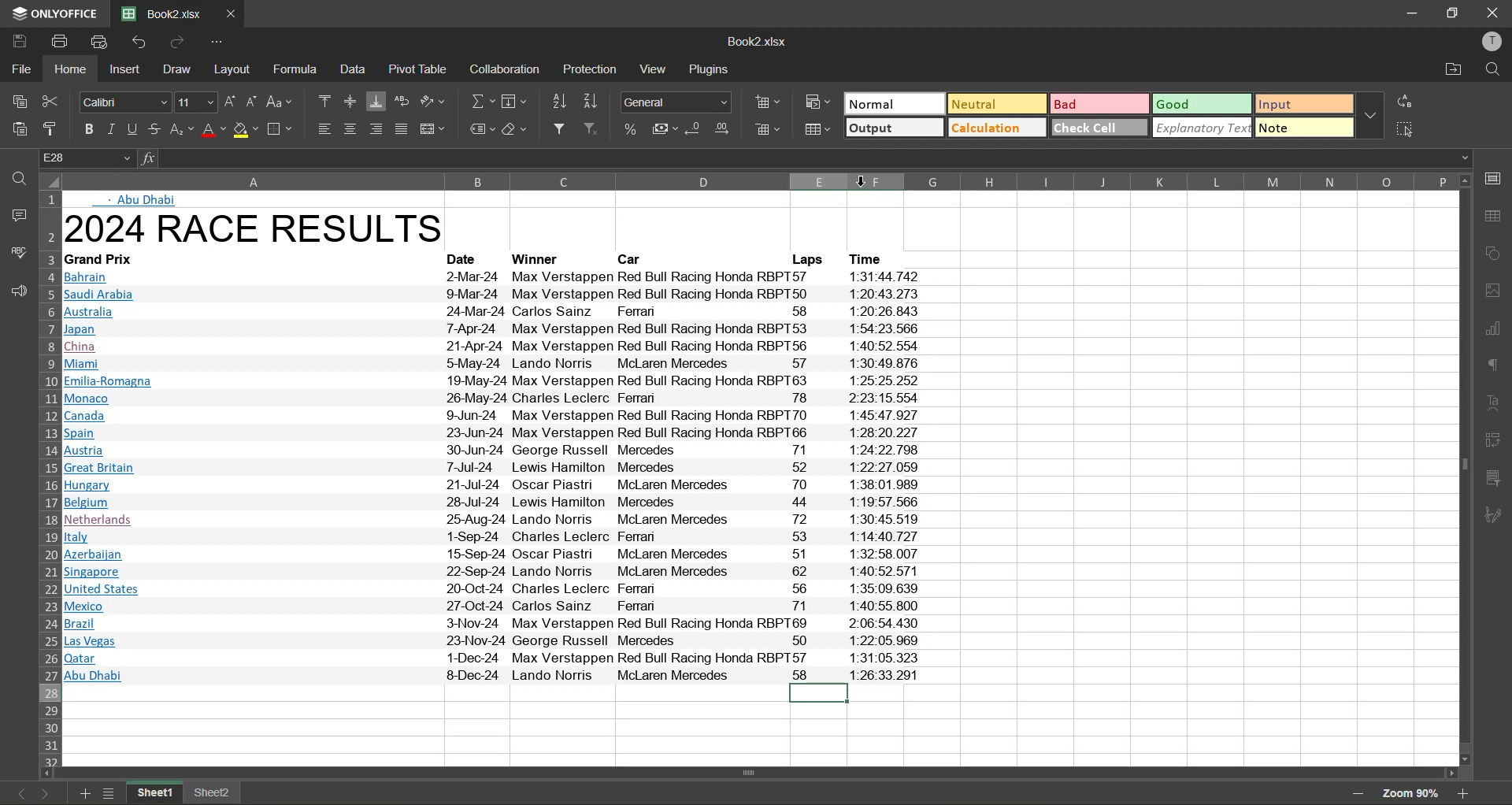 The width and height of the screenshot is (1512, 805). I want to click on insert, so click(122, 70).